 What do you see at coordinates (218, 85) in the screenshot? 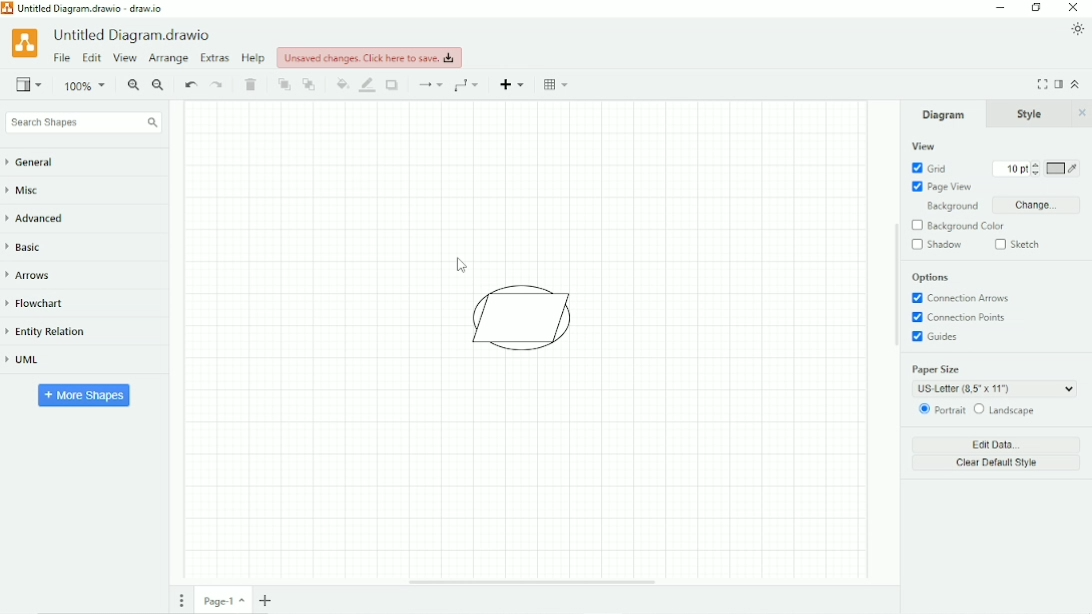
I see `Redo` at bounding box center [218, 85].